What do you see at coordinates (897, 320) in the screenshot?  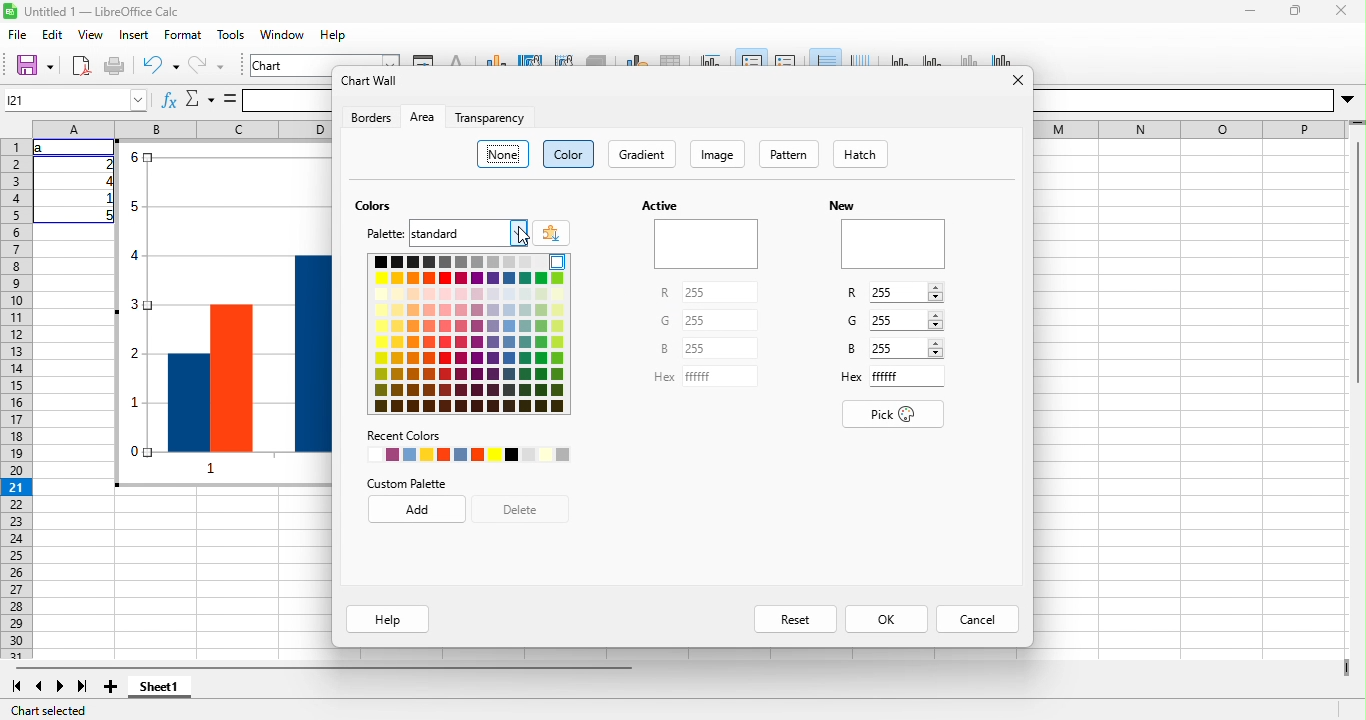 I see `Input G value` at bounding box center [897, 320].